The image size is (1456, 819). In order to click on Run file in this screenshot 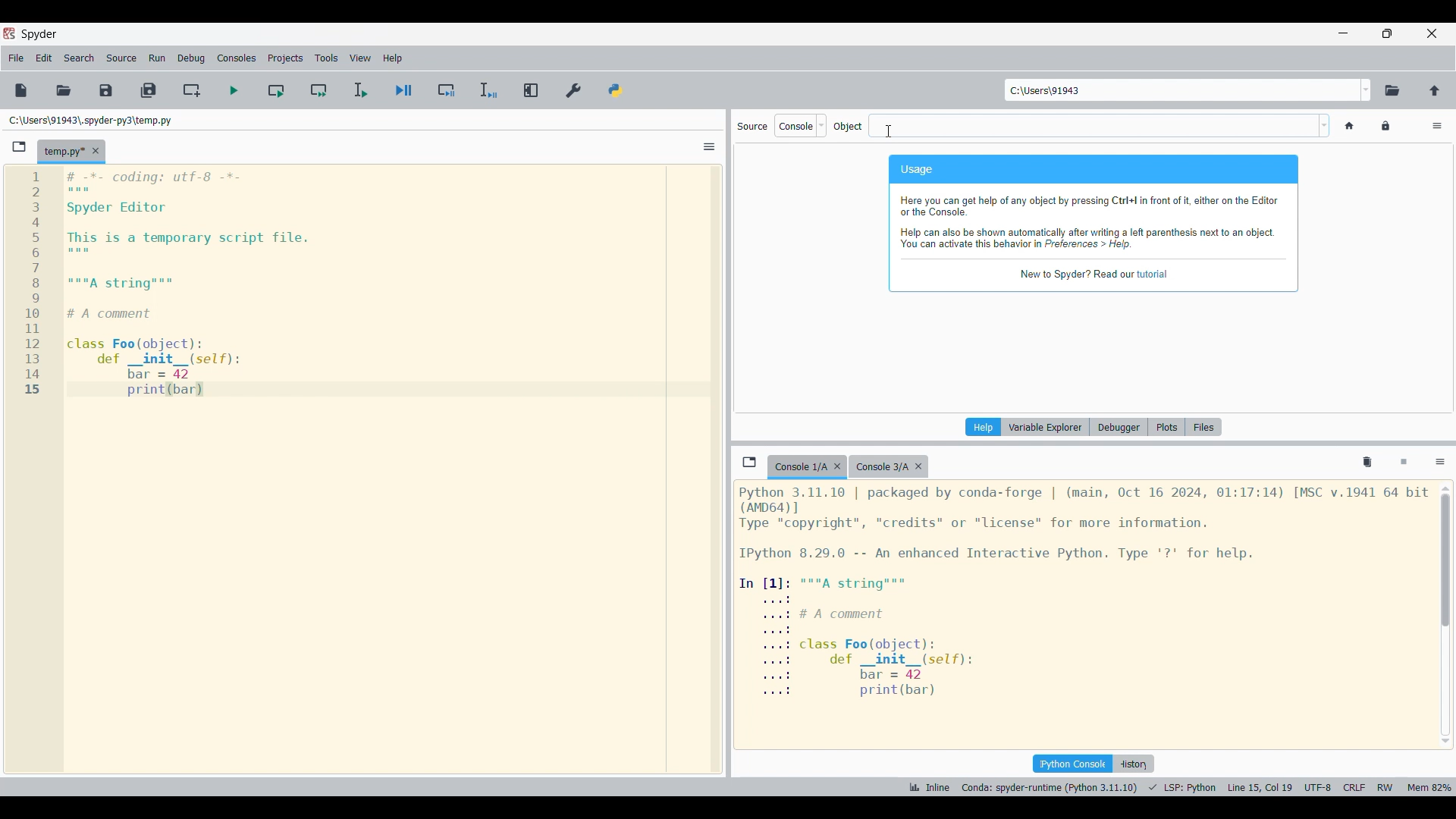, I will do `click(234, 90)`.